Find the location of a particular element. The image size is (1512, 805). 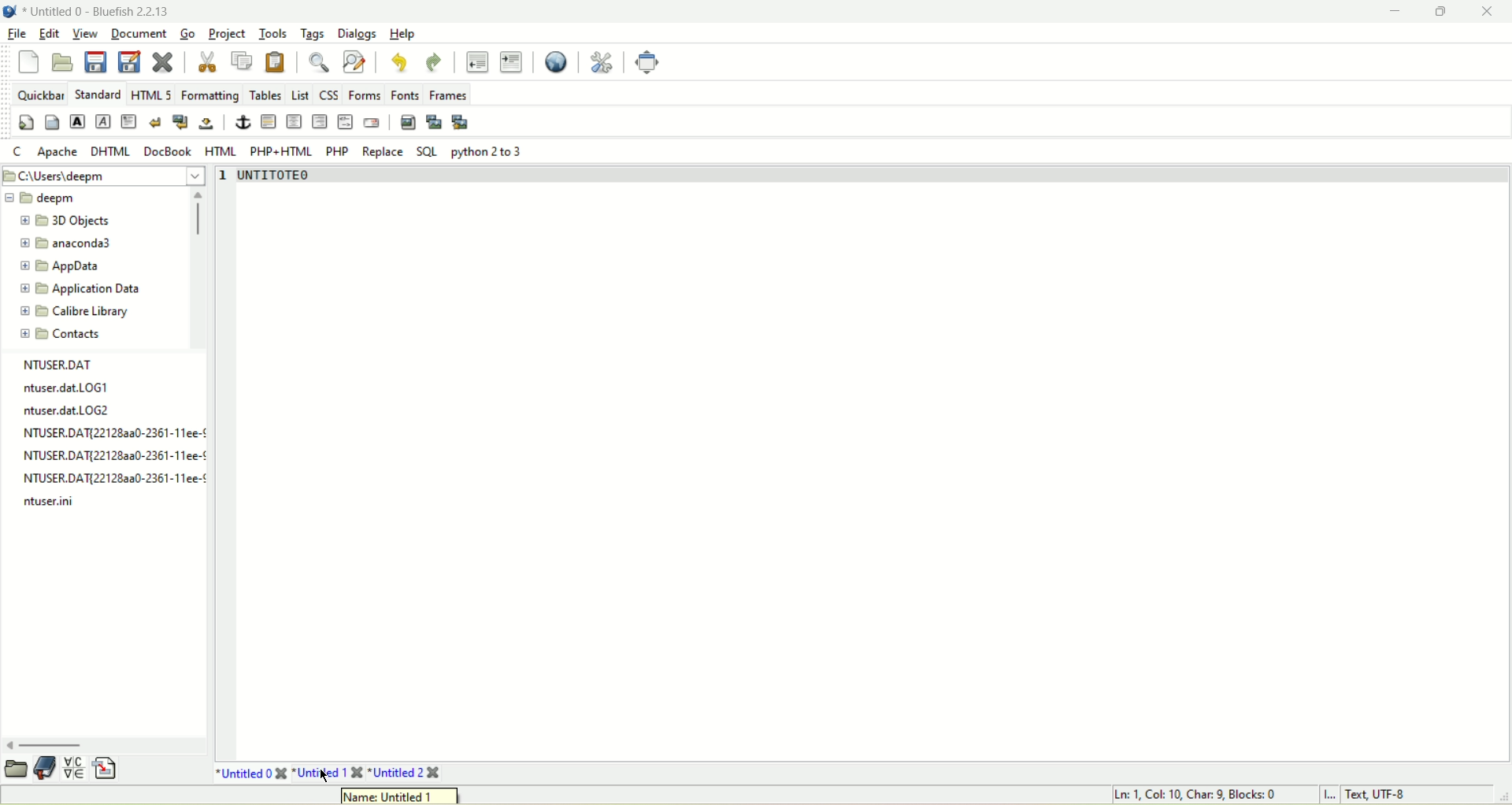

copy is located at coordinates (244, 61).